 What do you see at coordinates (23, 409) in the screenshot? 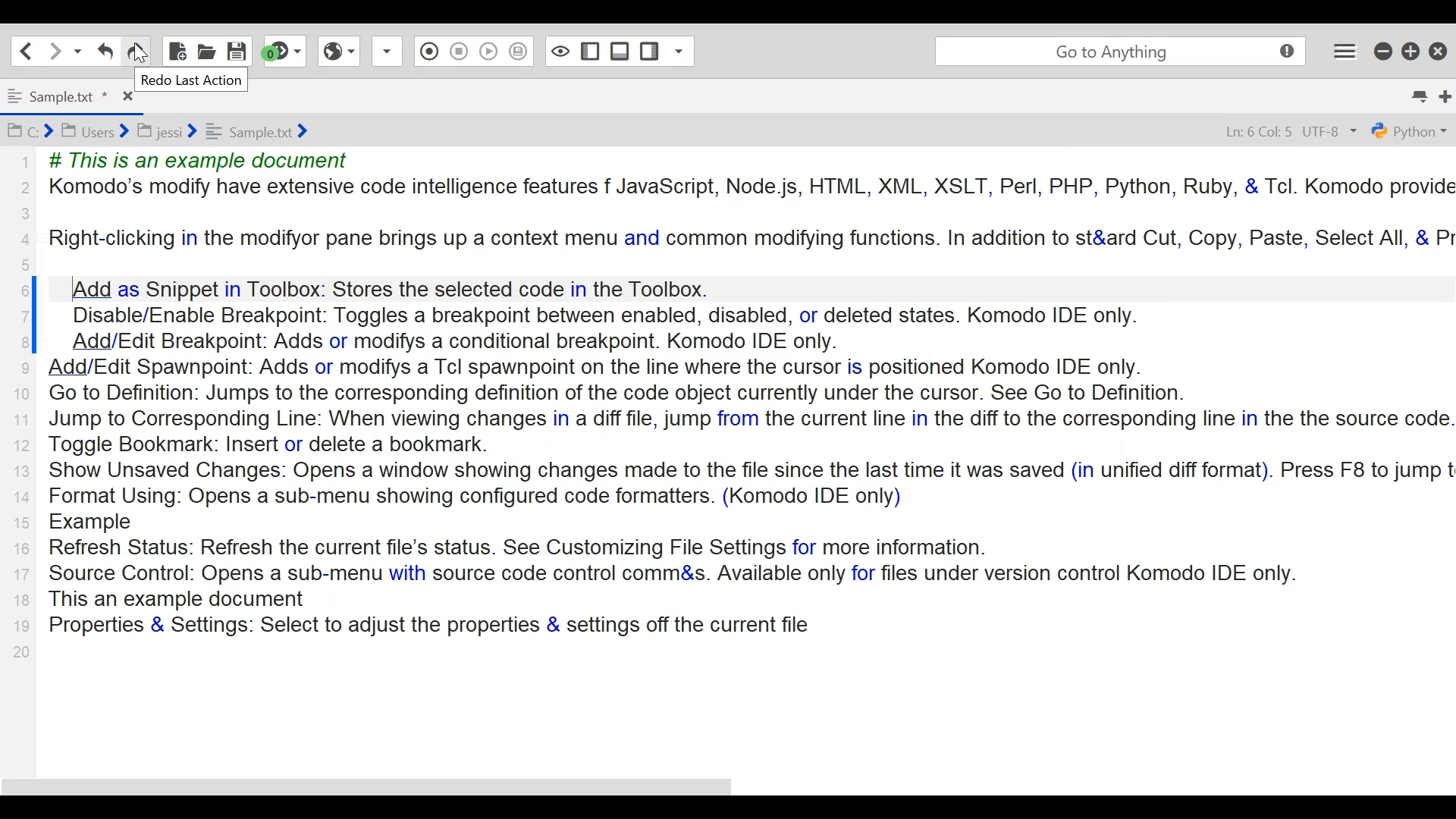
I see `Line Number` at bounding box center [23, 409].